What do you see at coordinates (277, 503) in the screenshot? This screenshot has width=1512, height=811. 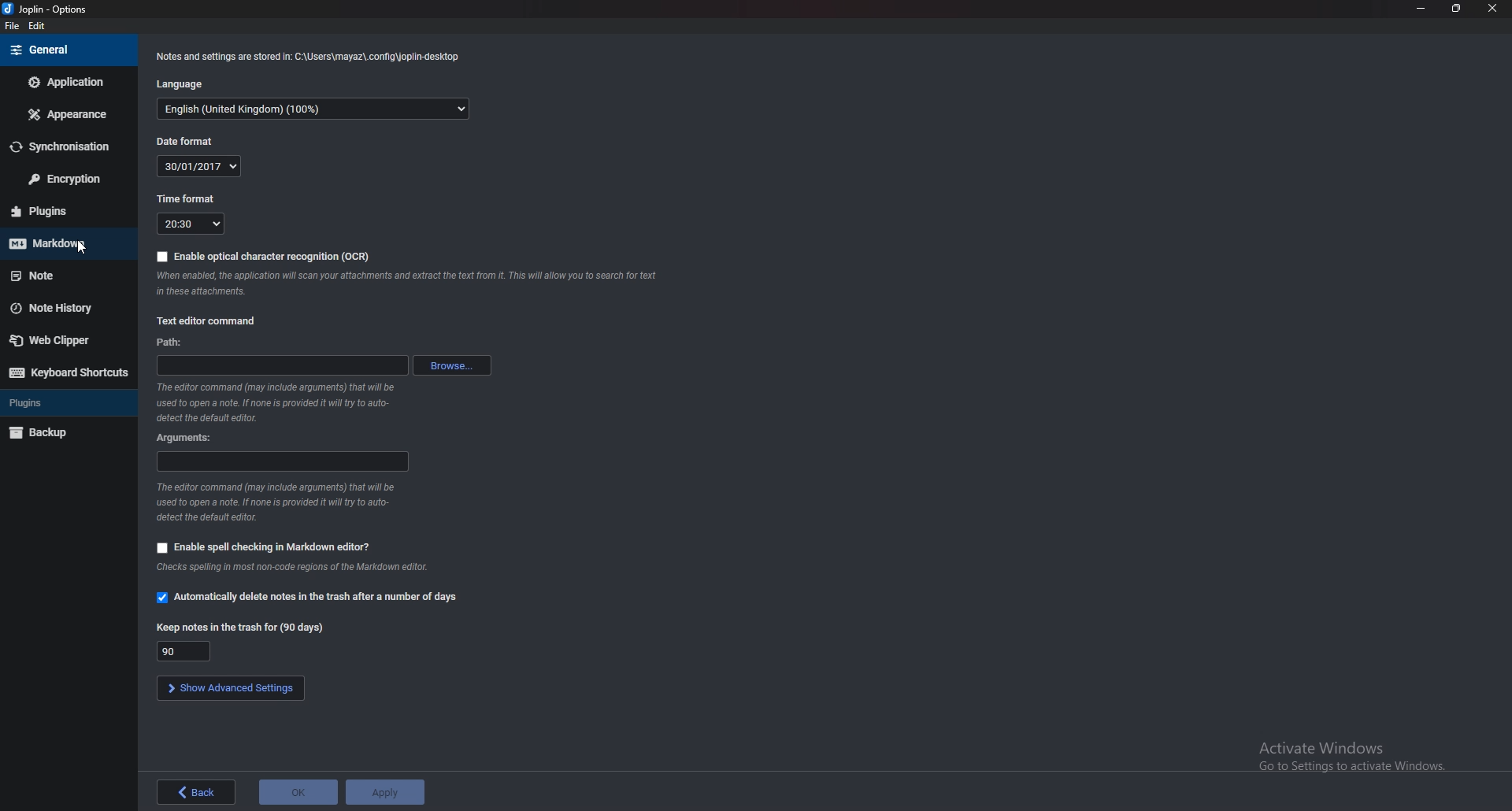 I see `info` at bounding box center [277, 503].